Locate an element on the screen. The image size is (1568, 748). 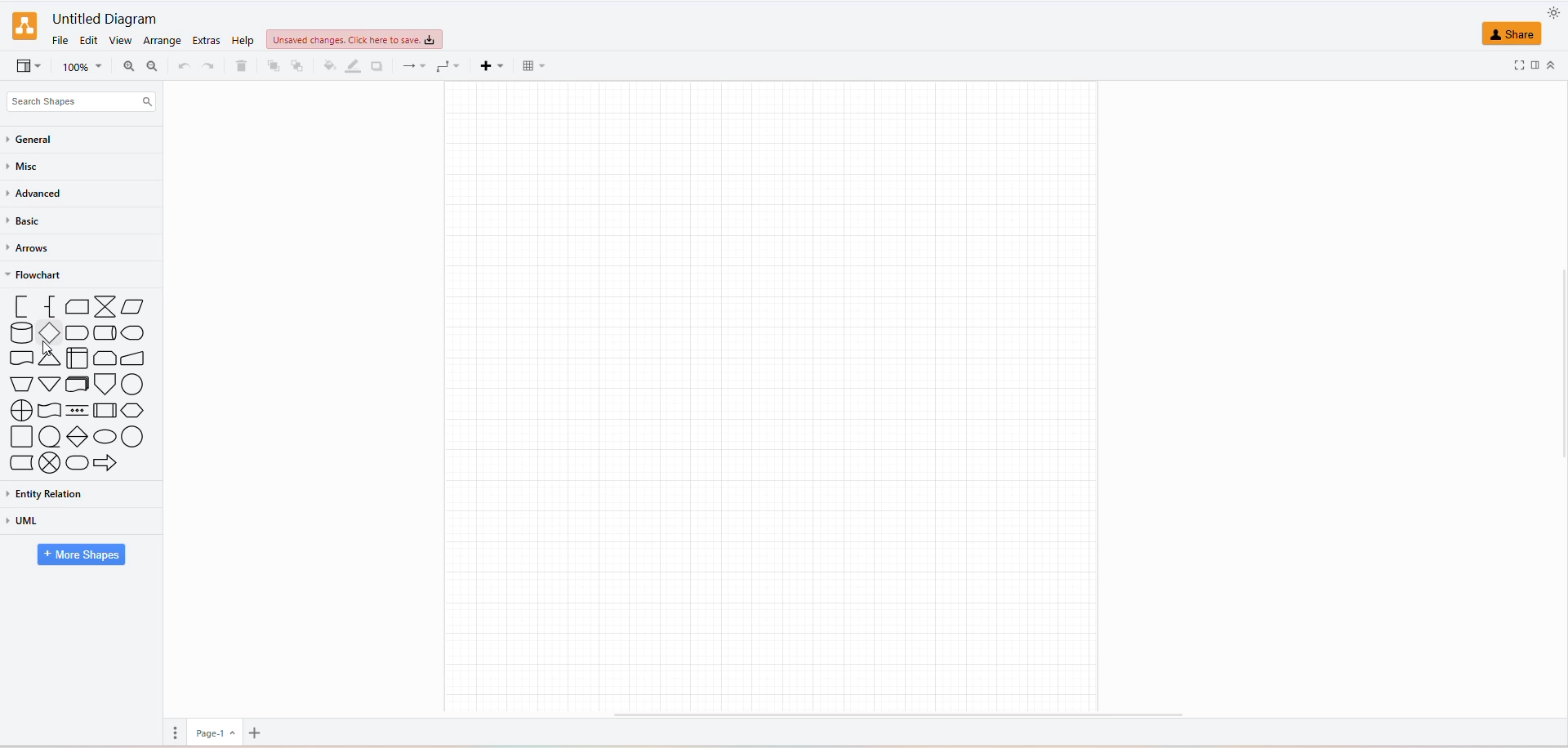
APPEARANCE is located at coordinates (1552, 11).